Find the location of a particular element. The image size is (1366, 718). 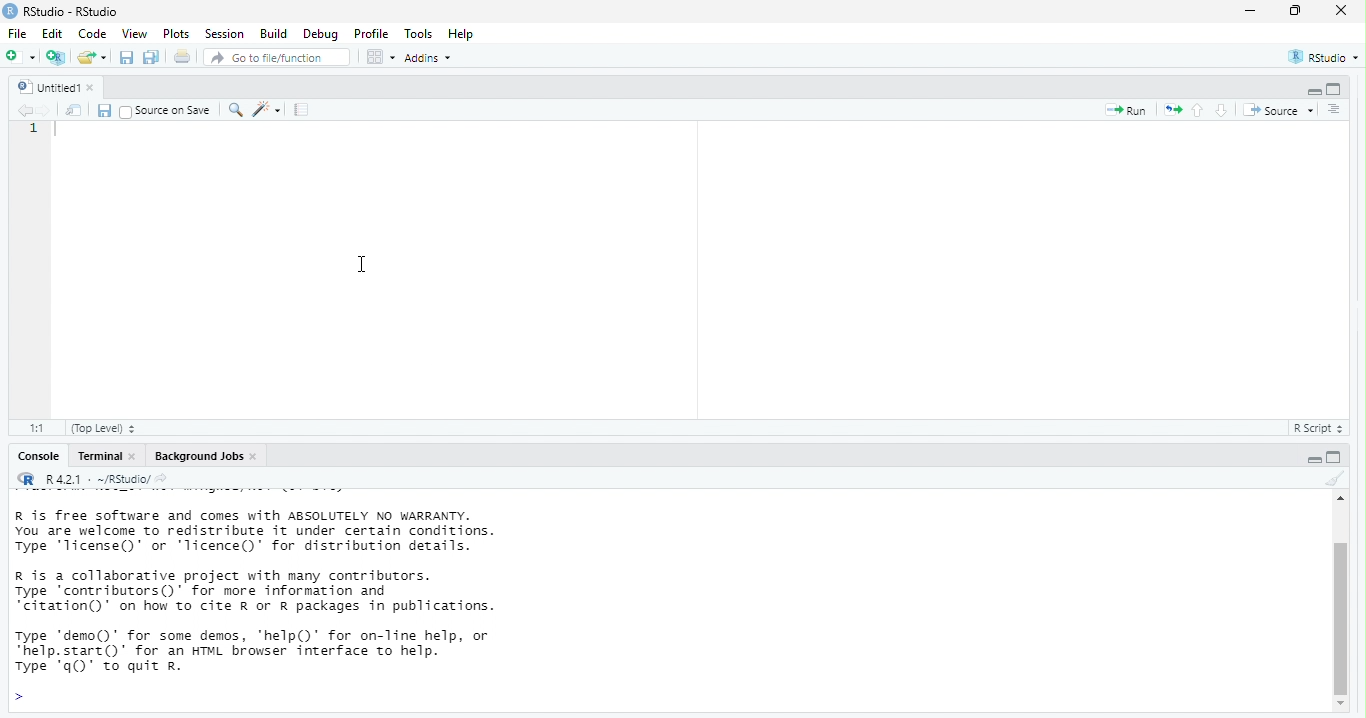

RStudio is located at coordinates (1325, 53).